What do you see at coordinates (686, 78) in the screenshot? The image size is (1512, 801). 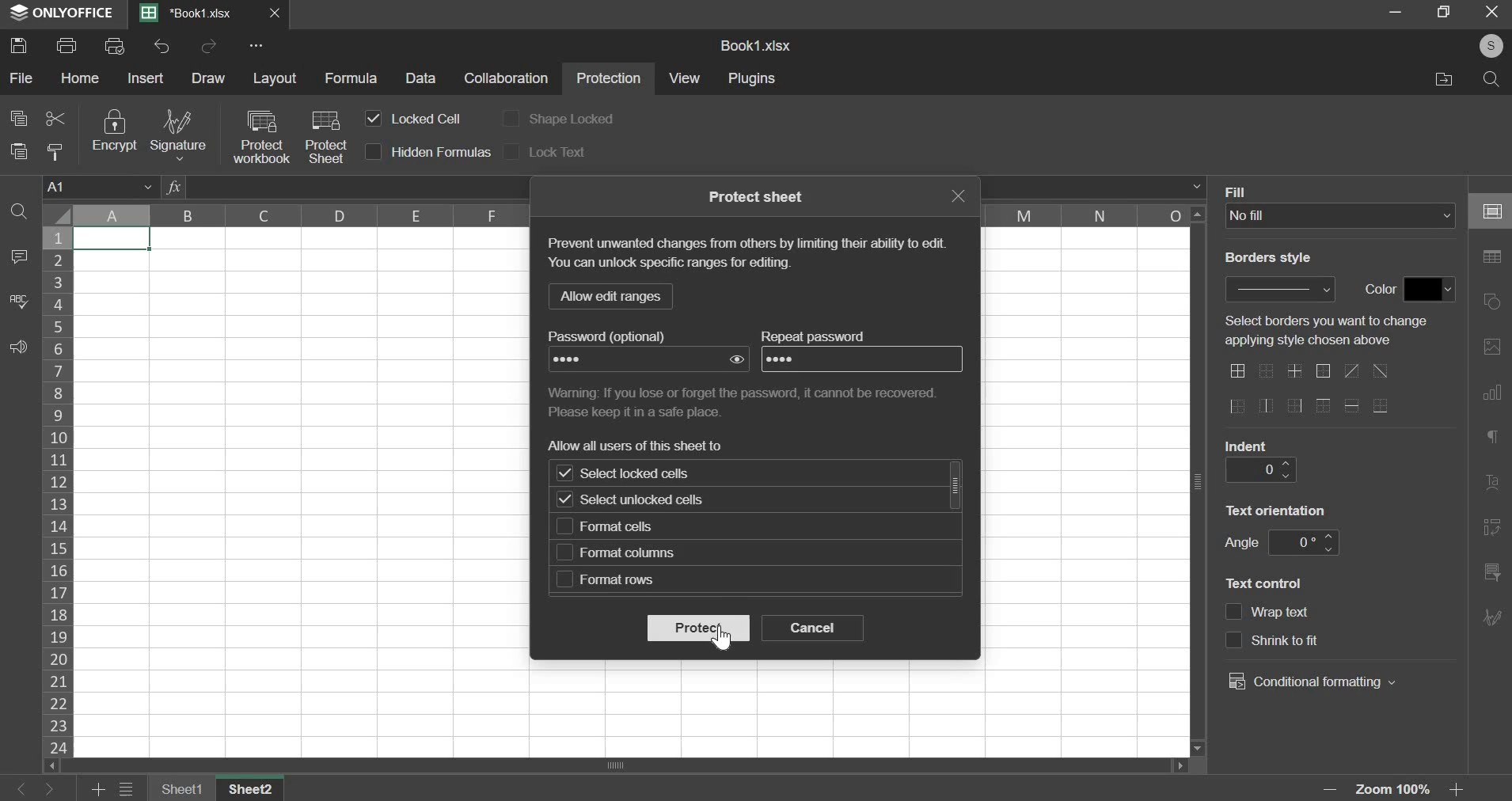 I see `view` at bounding box center [686, 78].